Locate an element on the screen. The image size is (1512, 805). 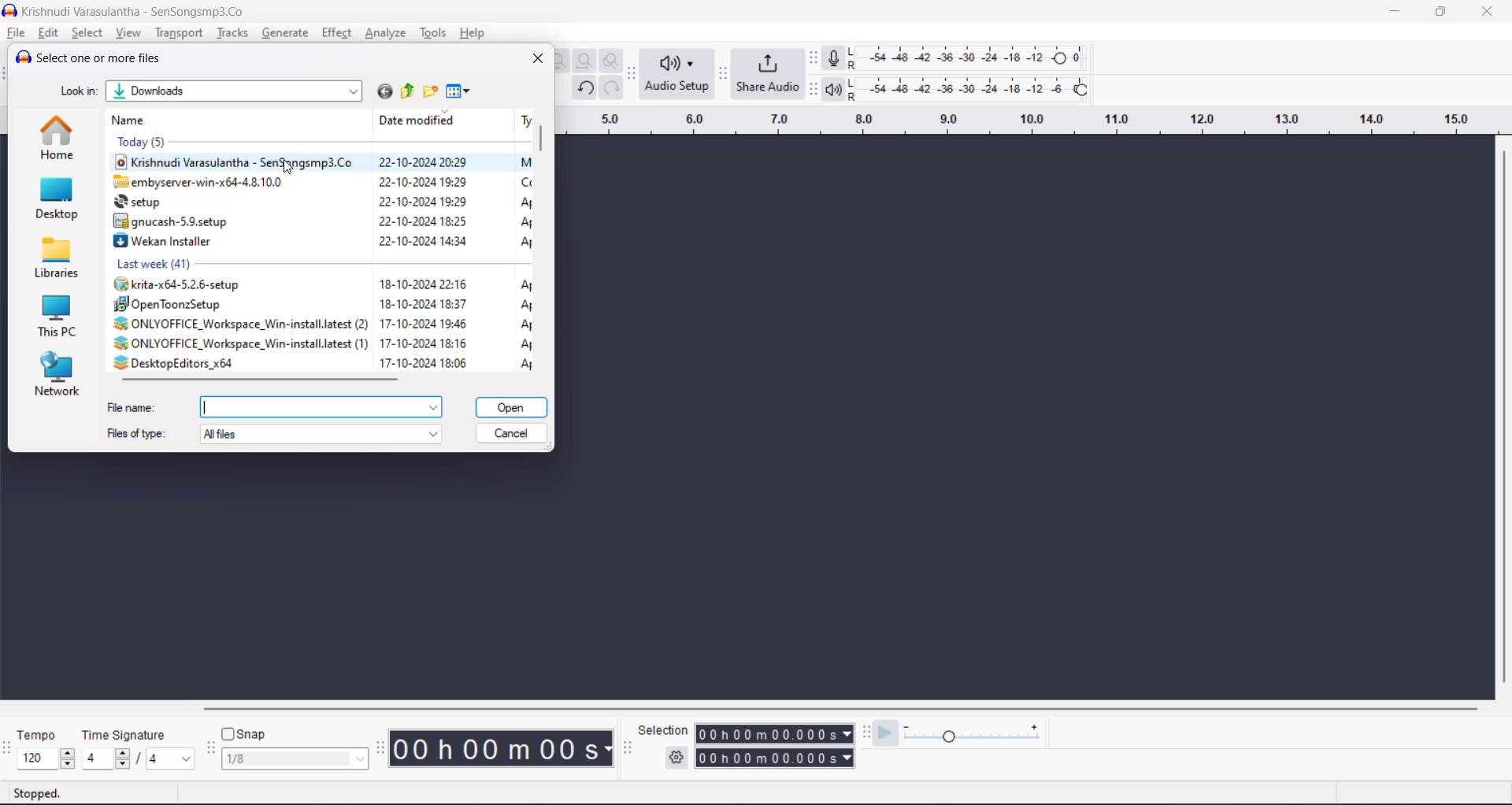
audio setup is located at coordinates (677, 75).